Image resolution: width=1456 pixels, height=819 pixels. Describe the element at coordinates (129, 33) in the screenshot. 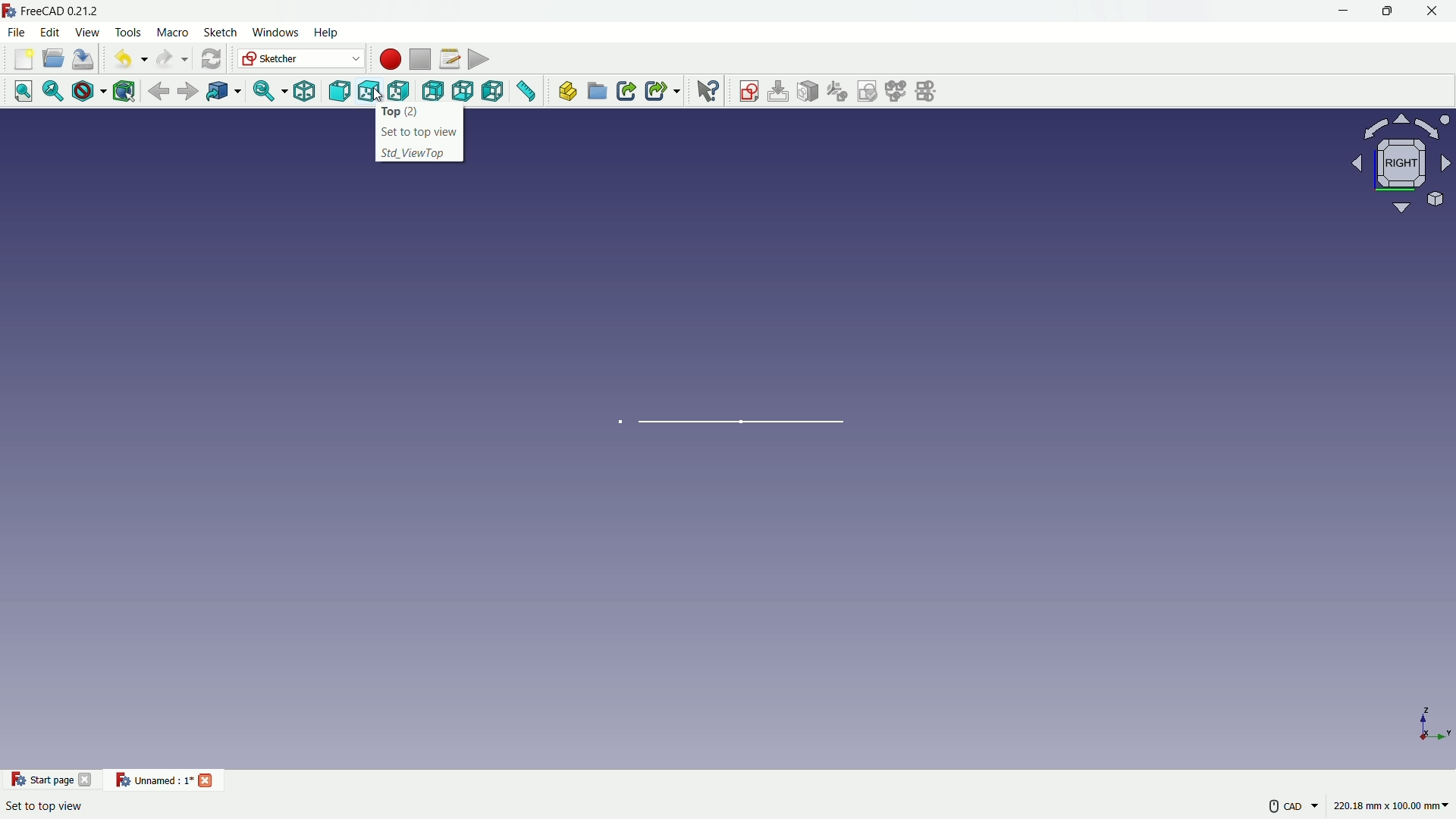

I see `tools menu` at that location.